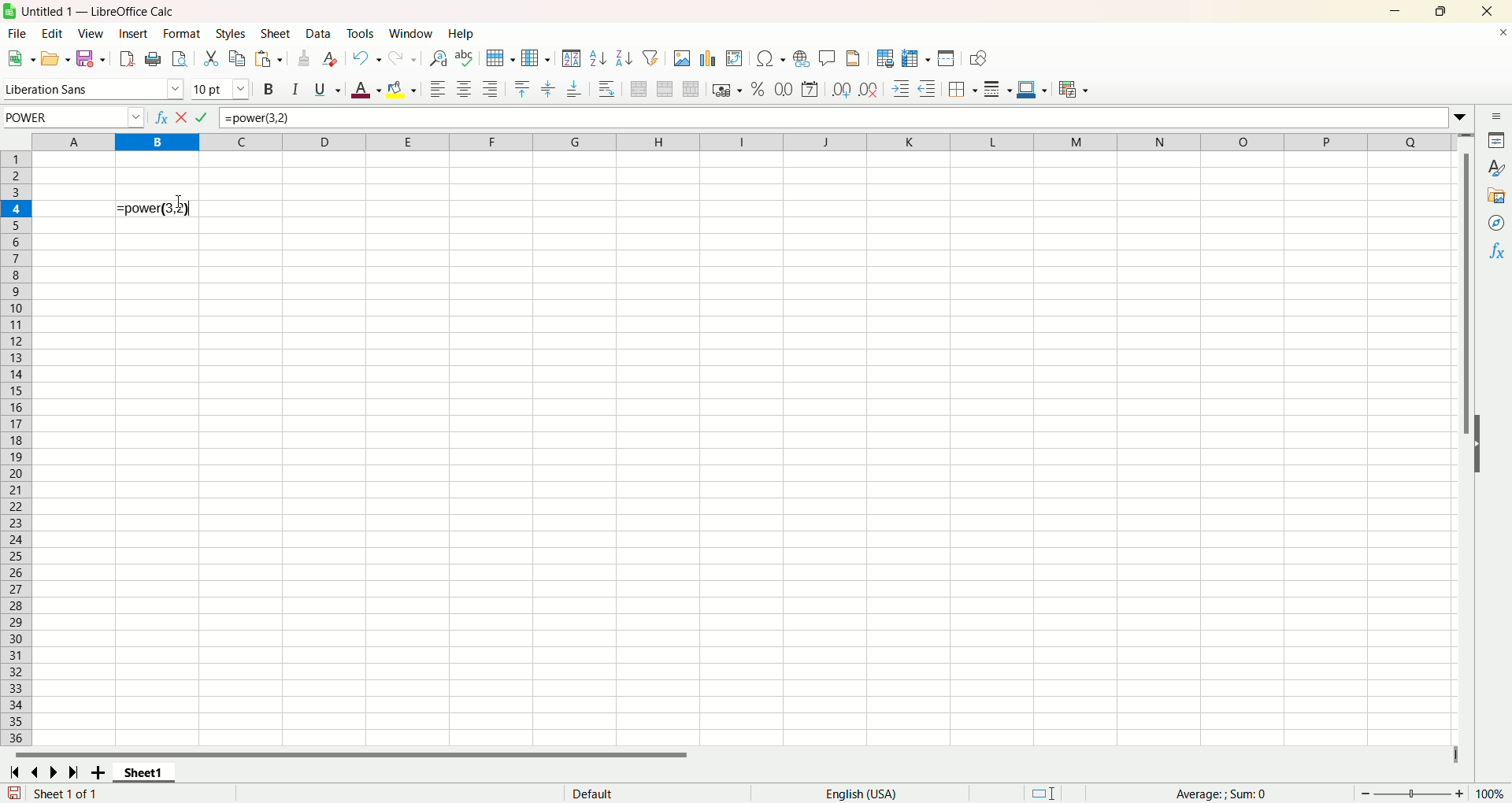 The image size is (1512, 803). I want to click on Untitled 1 - LibreOffice Calc, so click(107, 9).